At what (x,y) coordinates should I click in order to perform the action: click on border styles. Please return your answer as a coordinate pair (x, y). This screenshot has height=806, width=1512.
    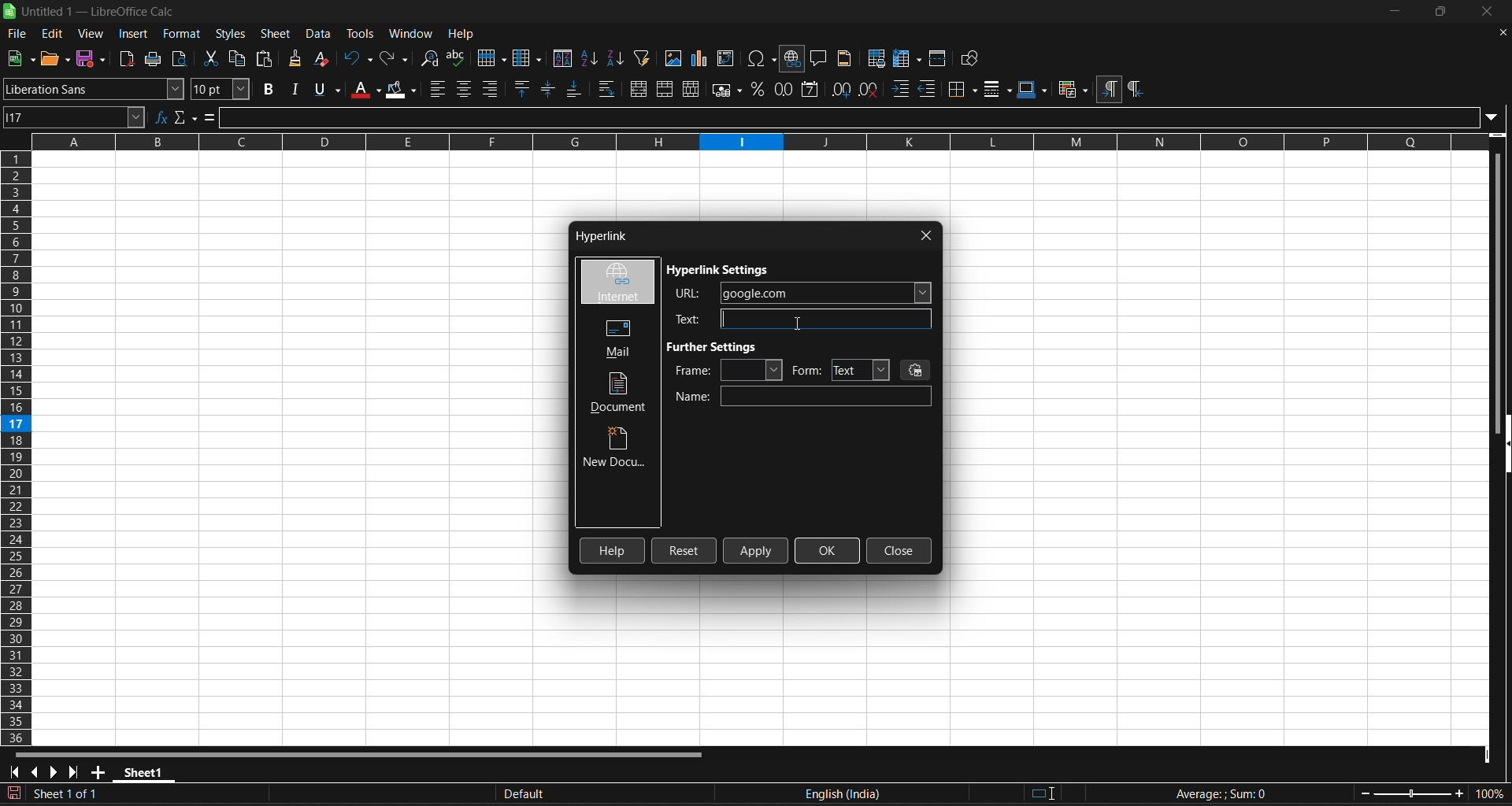
    Looking at the image, I should click on (998, 89).